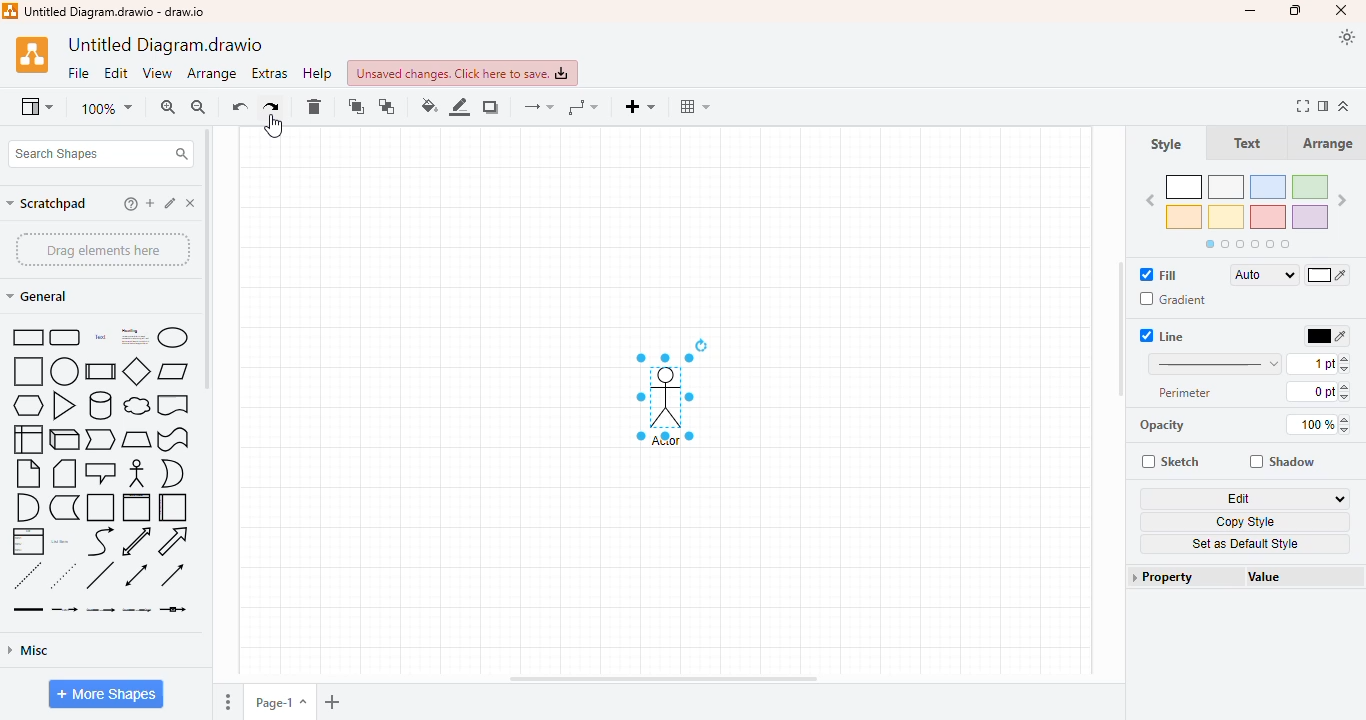  Describe the element at coordinates (173, 609) in the screenshot. I see `connector with symbol` at that location.